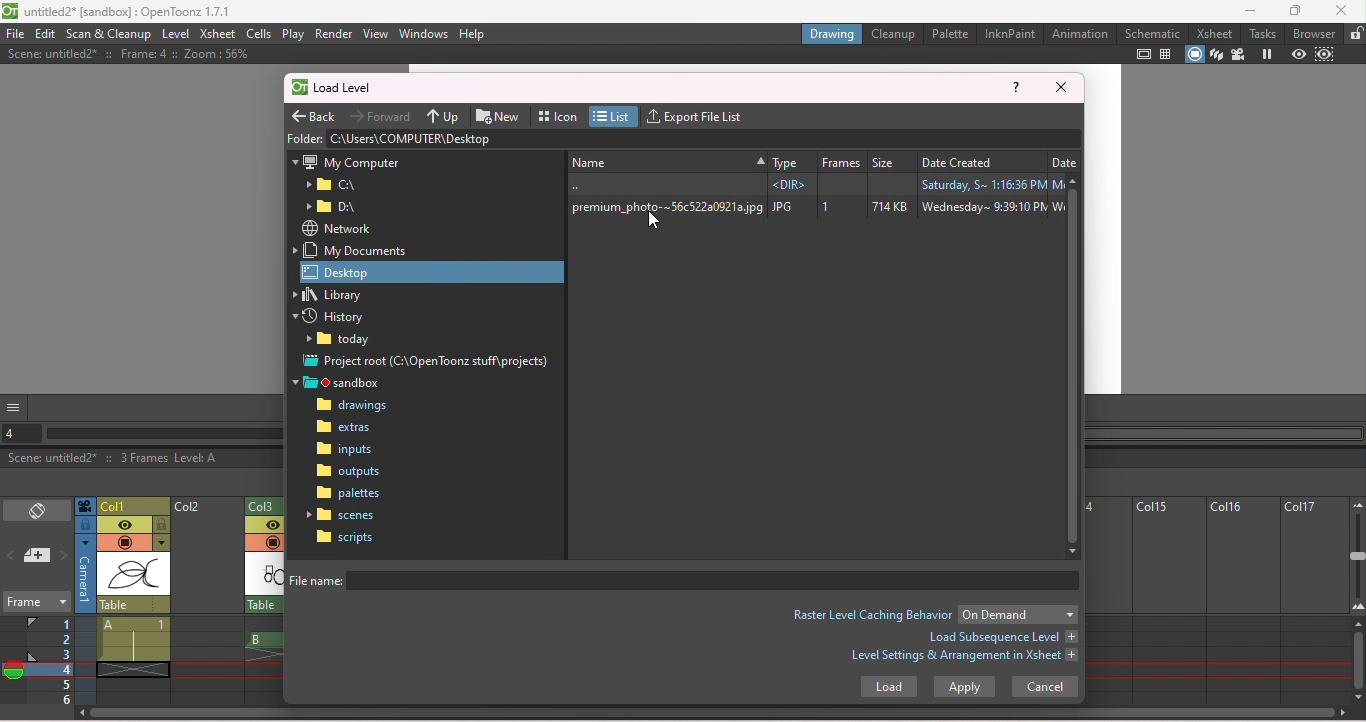 The height and width of the screenshot is (722, 1366). I want to click on Minimize, so click(1250, 10).